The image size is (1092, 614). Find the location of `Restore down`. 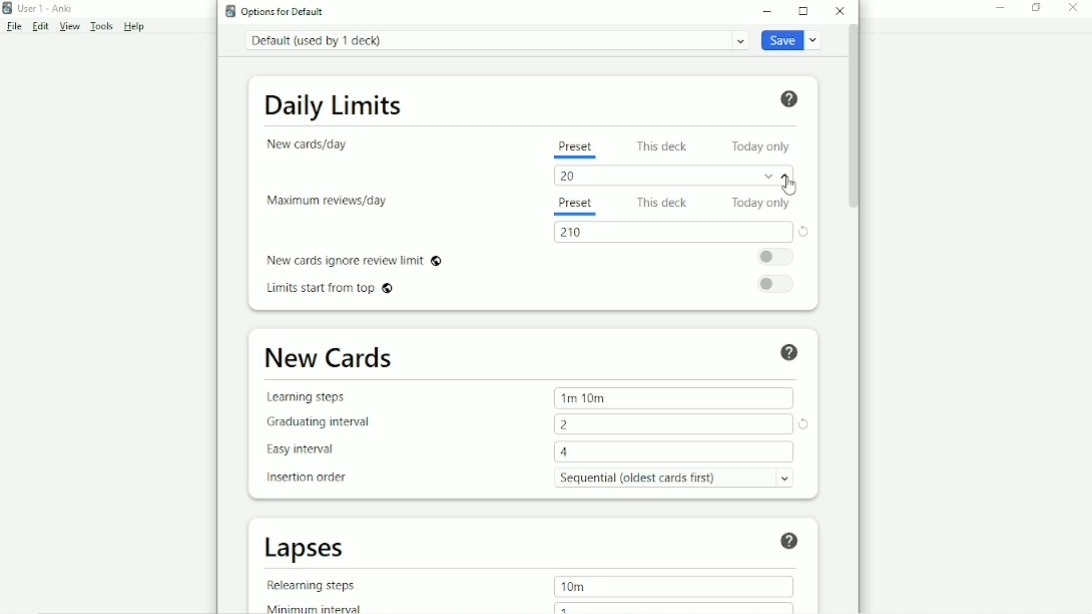

Restore down is located at coordinates (1037, 7).